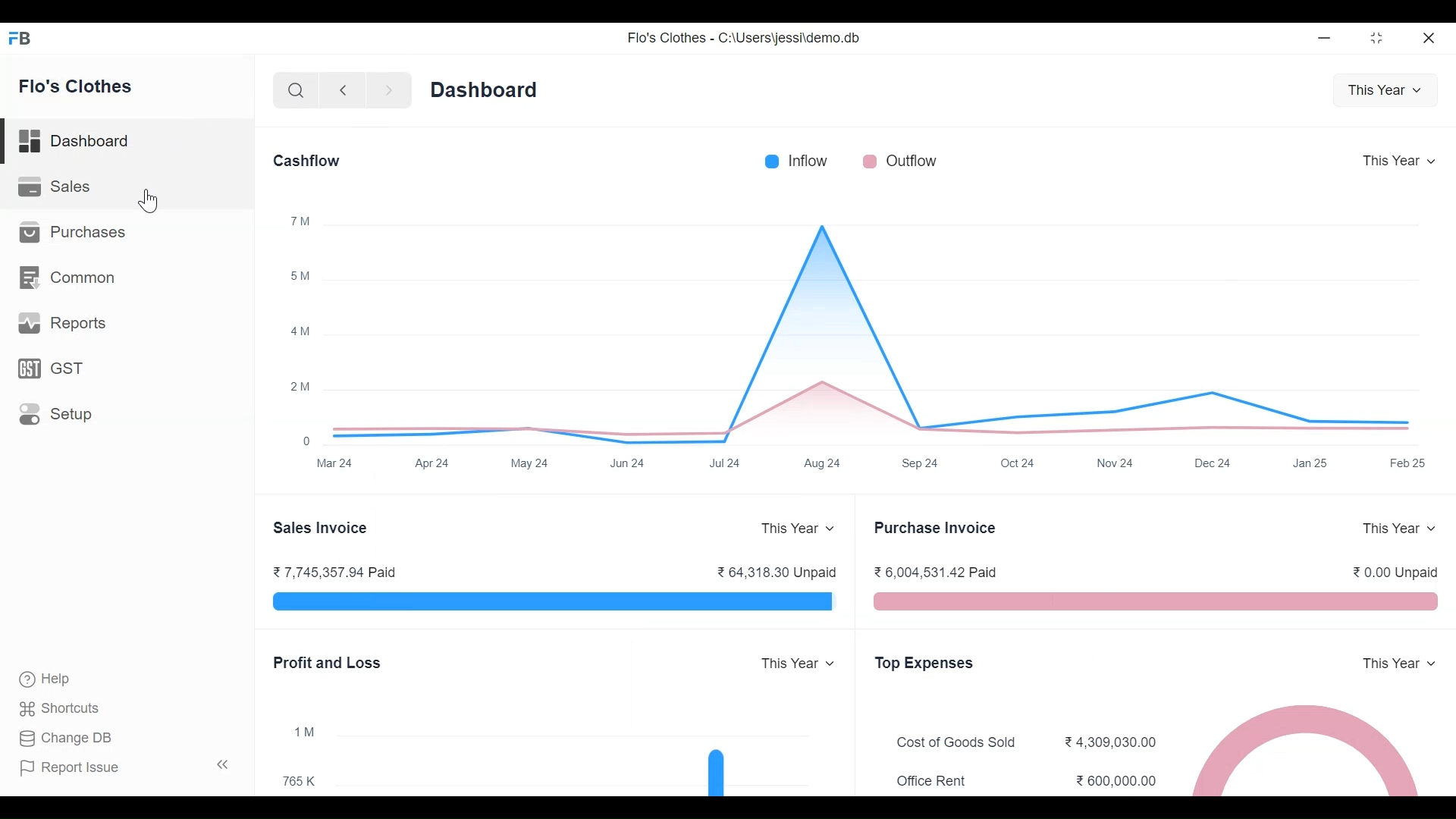 The image size is (1456, 819). What do you see at coordinates (335, 573) in the screenshot?
I see `7,745,357.94 Paid` at bounding box center [335, 573].